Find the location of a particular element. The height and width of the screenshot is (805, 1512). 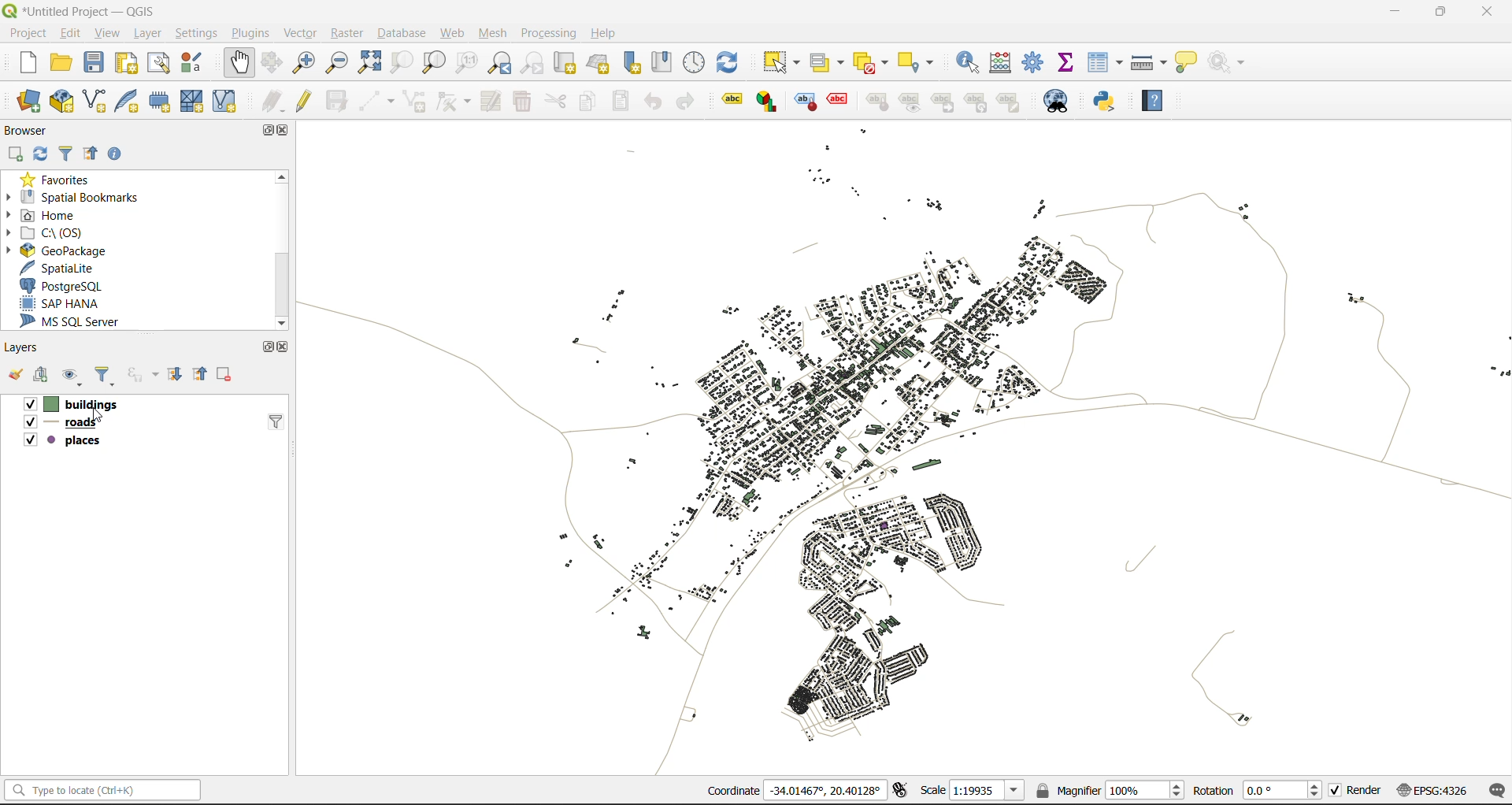

delete is located at coordinates (521, 103).